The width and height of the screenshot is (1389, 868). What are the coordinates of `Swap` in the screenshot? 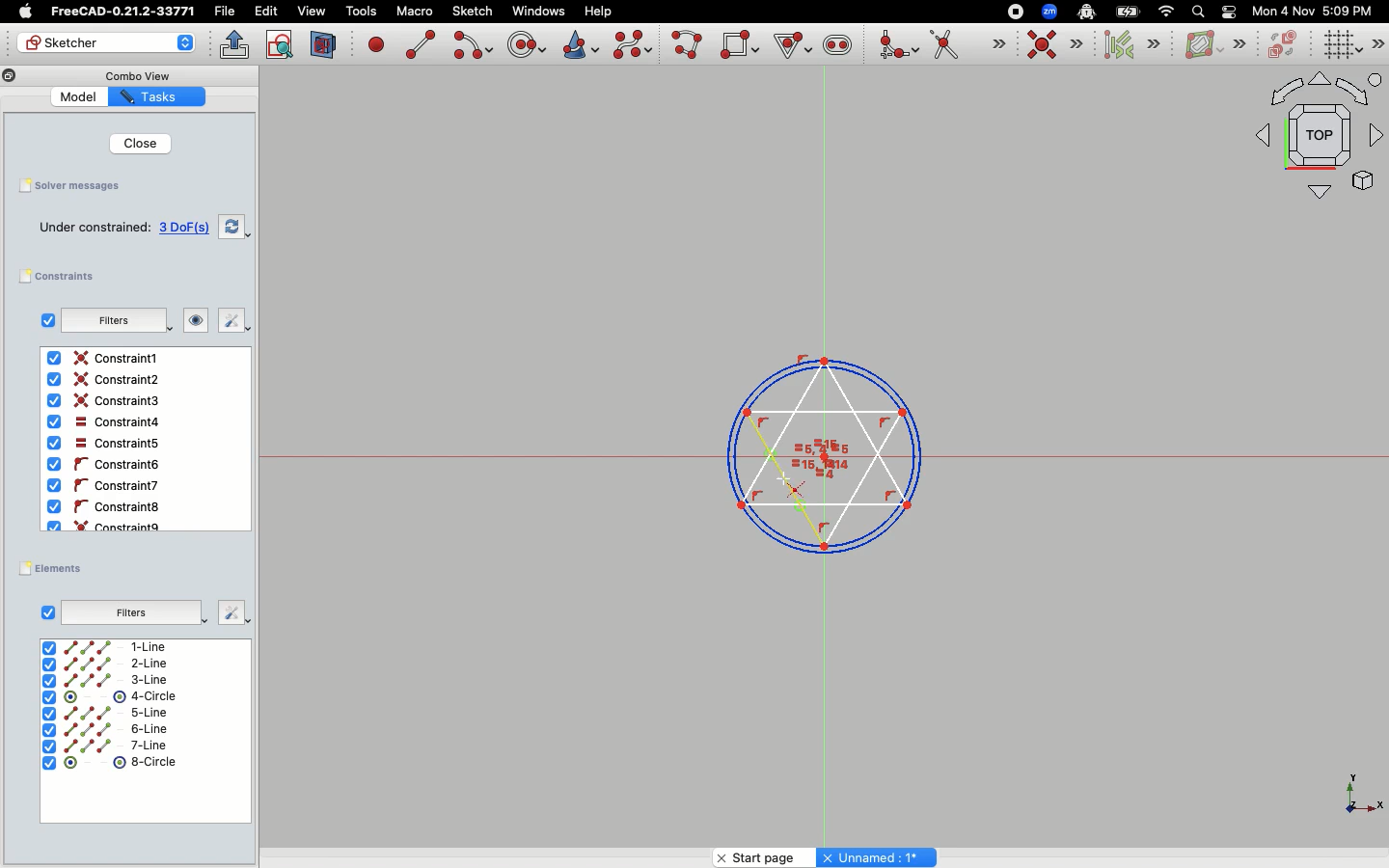 It's located at (235, 226).